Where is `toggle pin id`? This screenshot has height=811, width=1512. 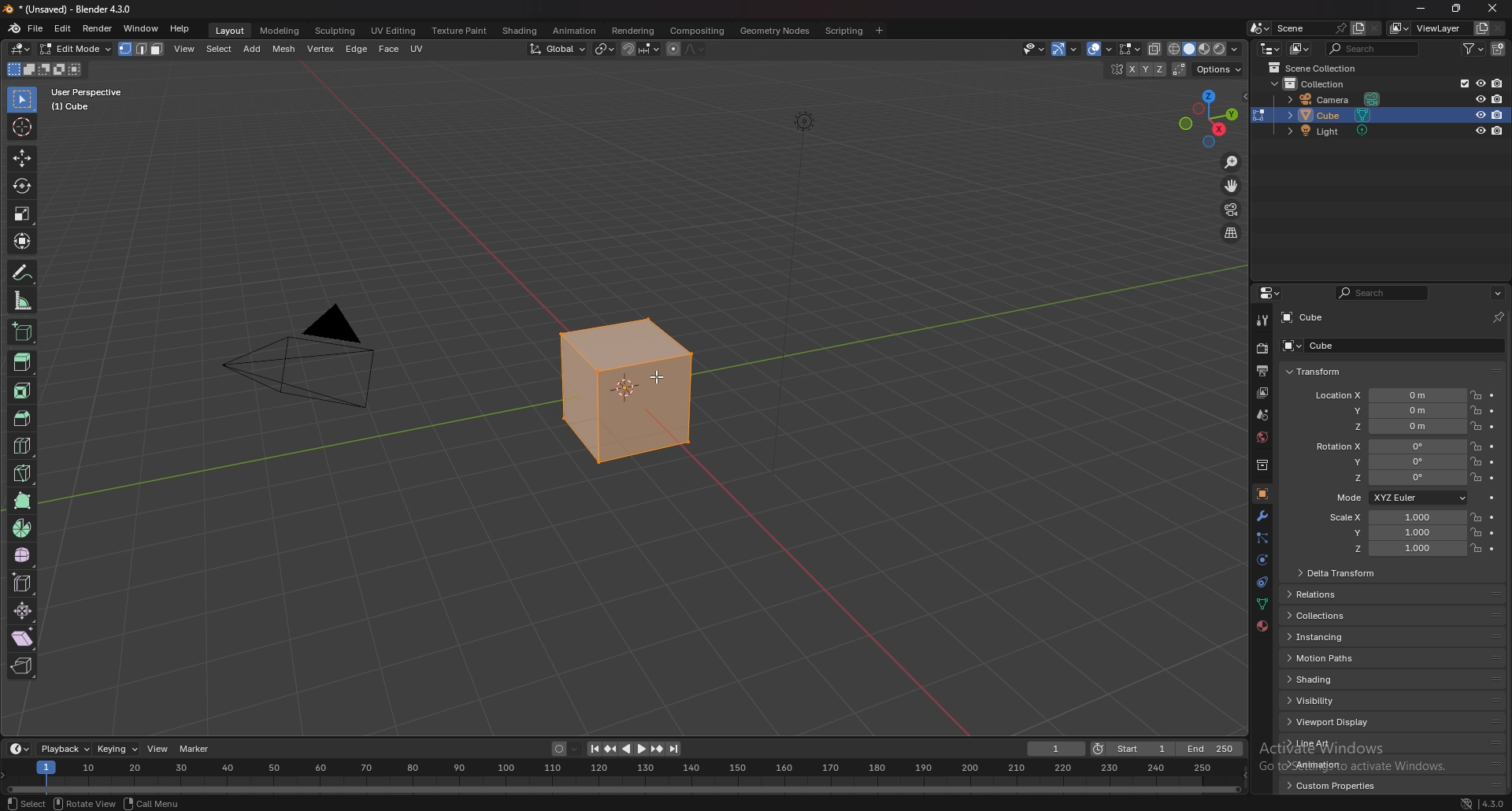 toggle pin id is located at coordinates (1498, 317).